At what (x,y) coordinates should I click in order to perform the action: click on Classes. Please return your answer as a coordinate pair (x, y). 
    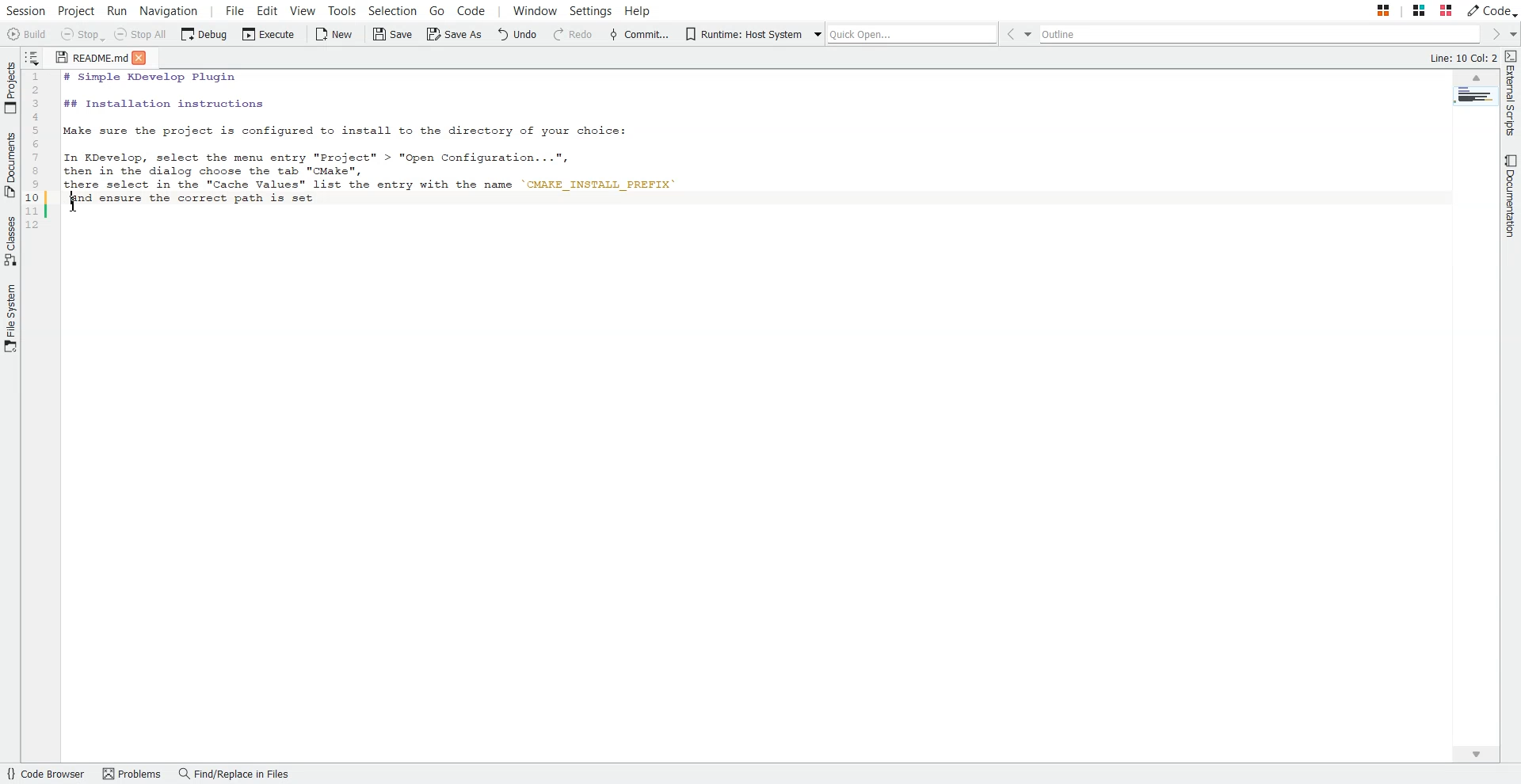
    Looking at the image, I should click on (10, 242).